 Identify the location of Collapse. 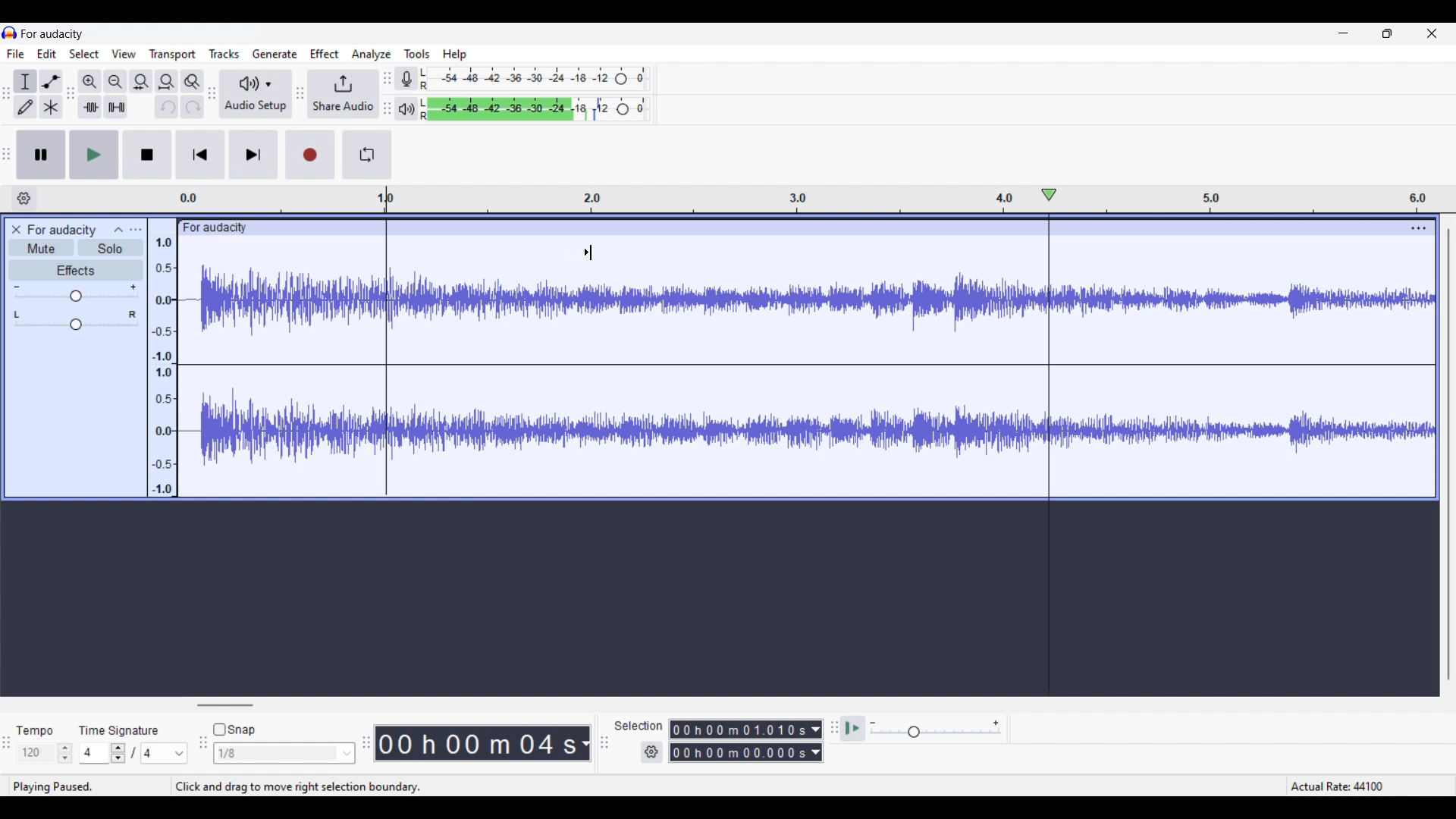
(118, 229).